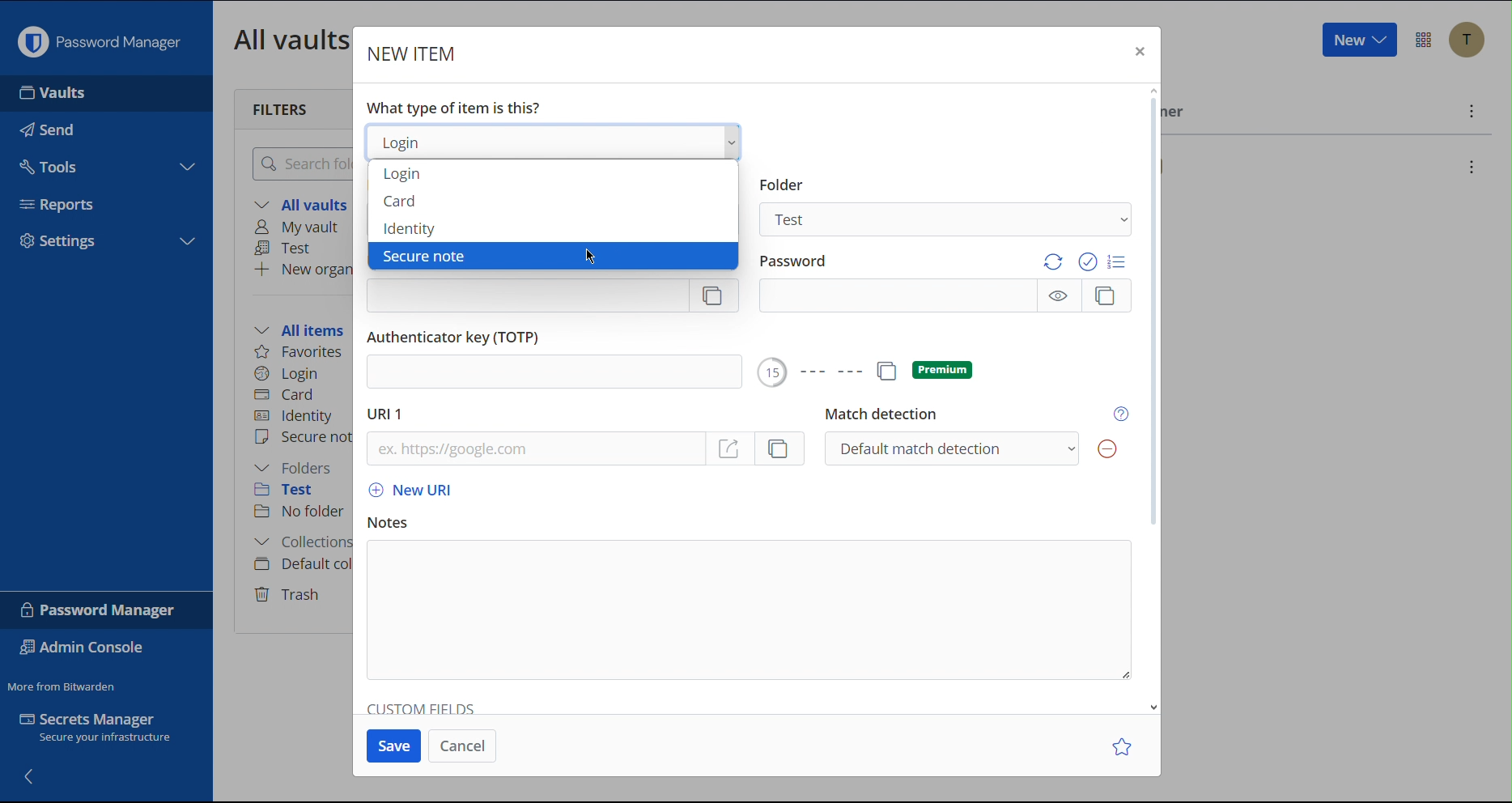 Image resolution: width=1512 pixels, height=803 pixels. What do you see at coordinates (396, 745) in the screenshot?
I see `Save` at bounding box center [396, 745].